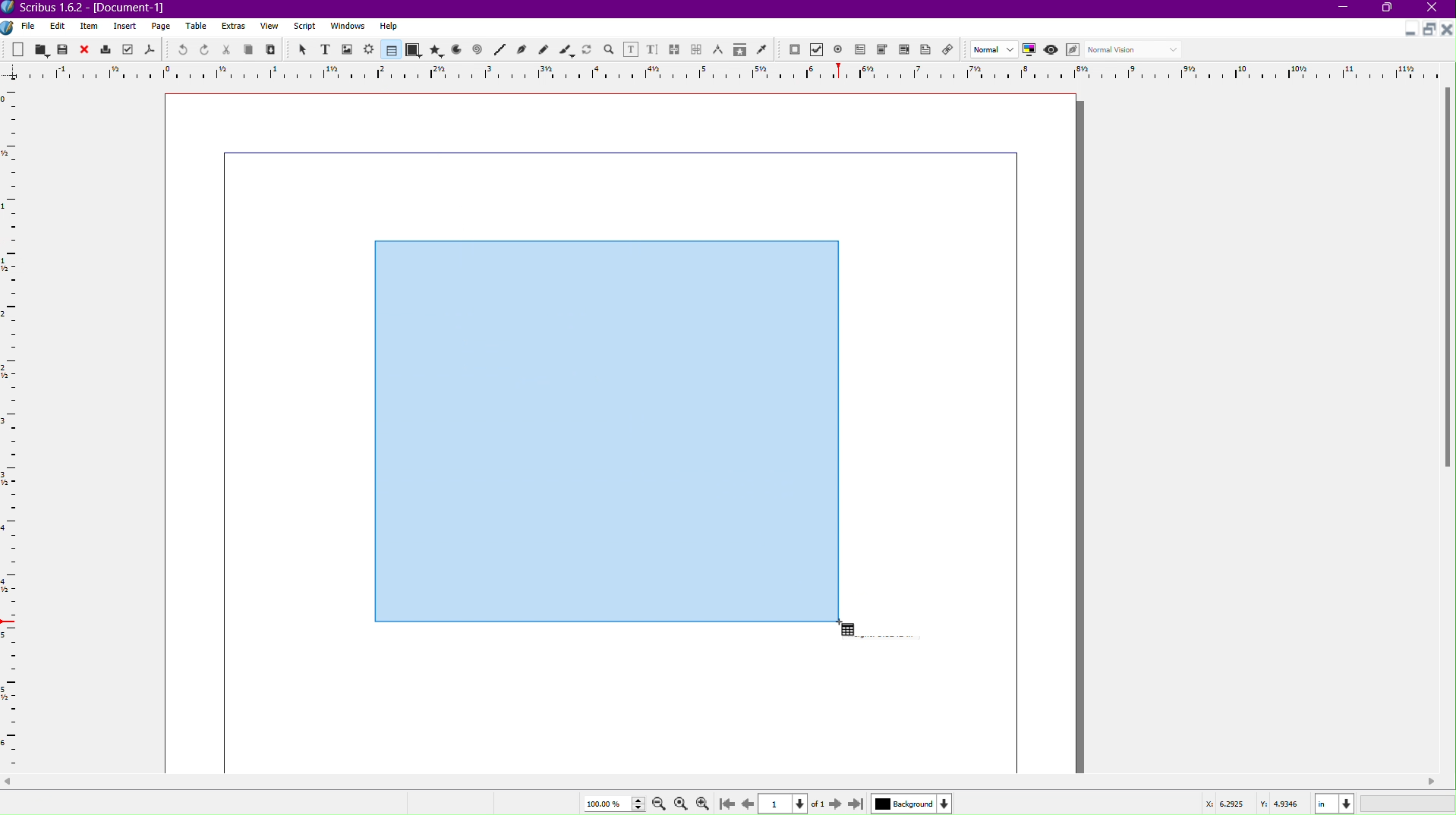 The width and height of the screenshot is (1456, 815). What do you see at coordinates (606, 430) in the screenshot?
I see `Table Setting` at bounding box center [606, 430].